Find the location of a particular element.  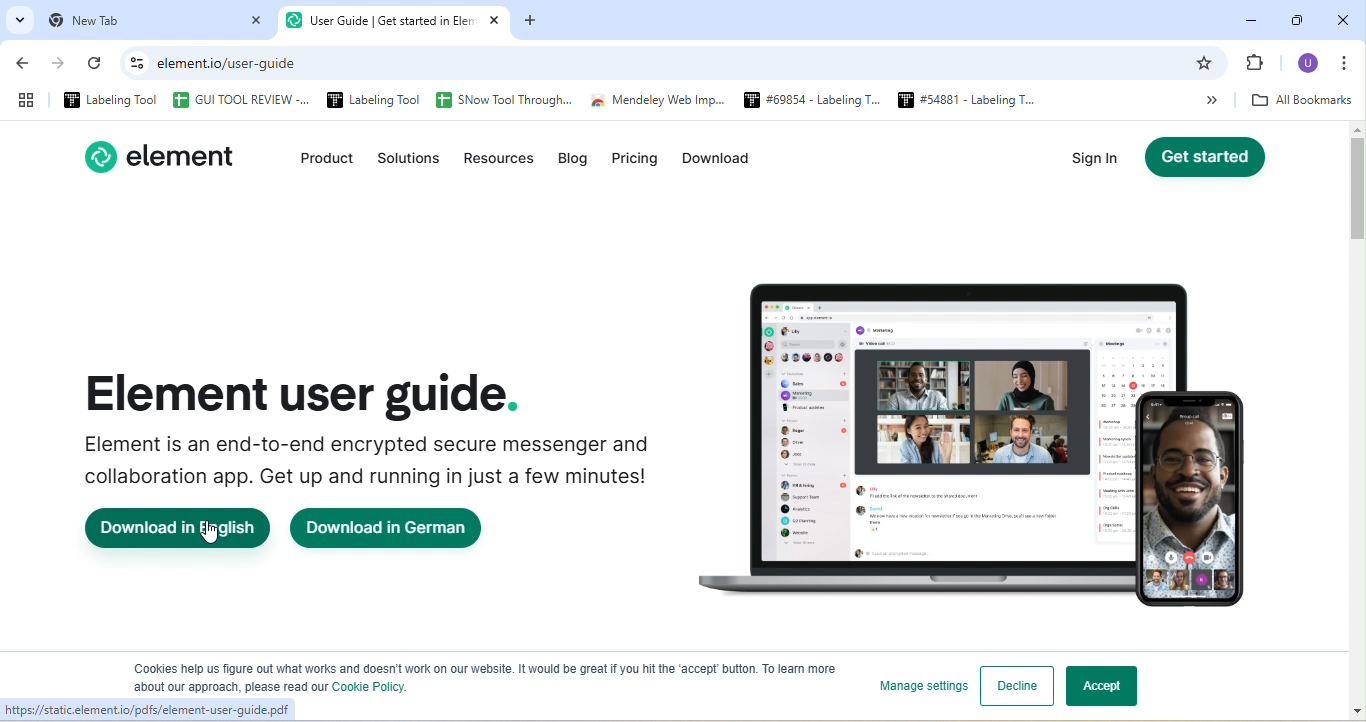

decline is located at coordinates (1016, 686).